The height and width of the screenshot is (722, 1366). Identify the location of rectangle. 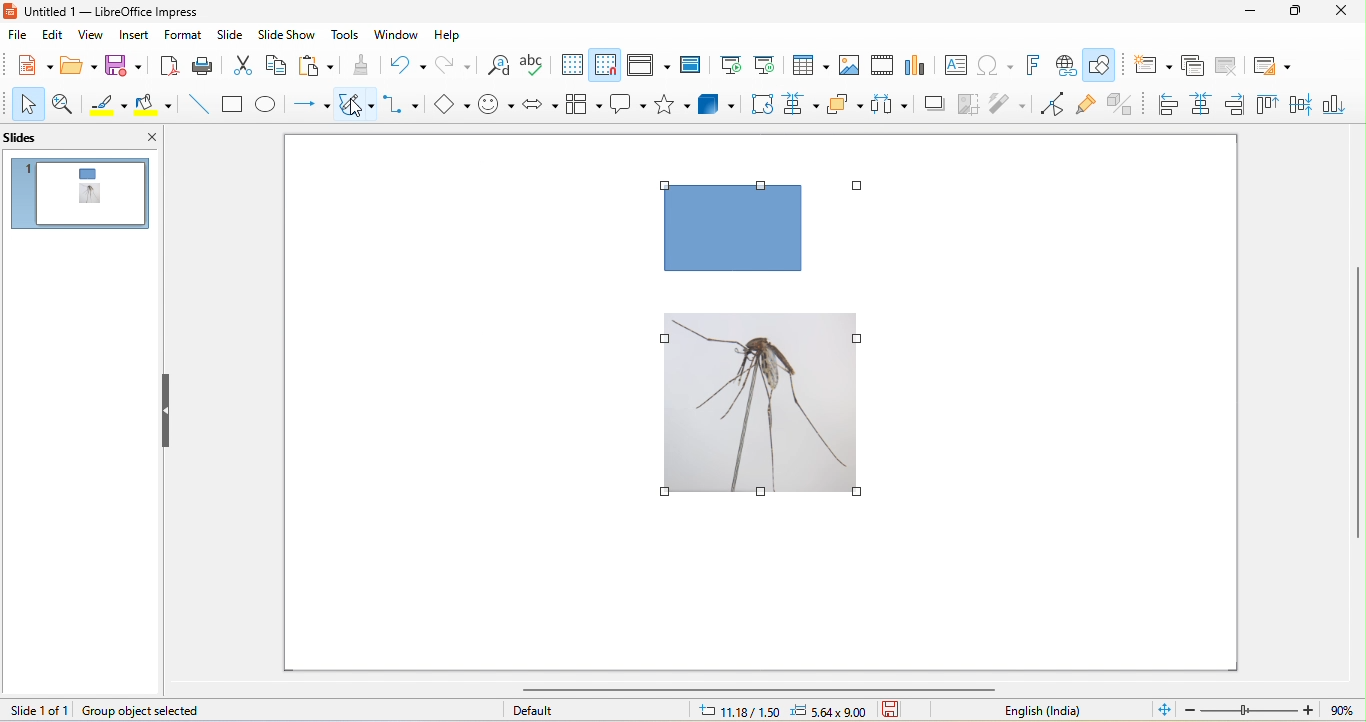
(235, 105).